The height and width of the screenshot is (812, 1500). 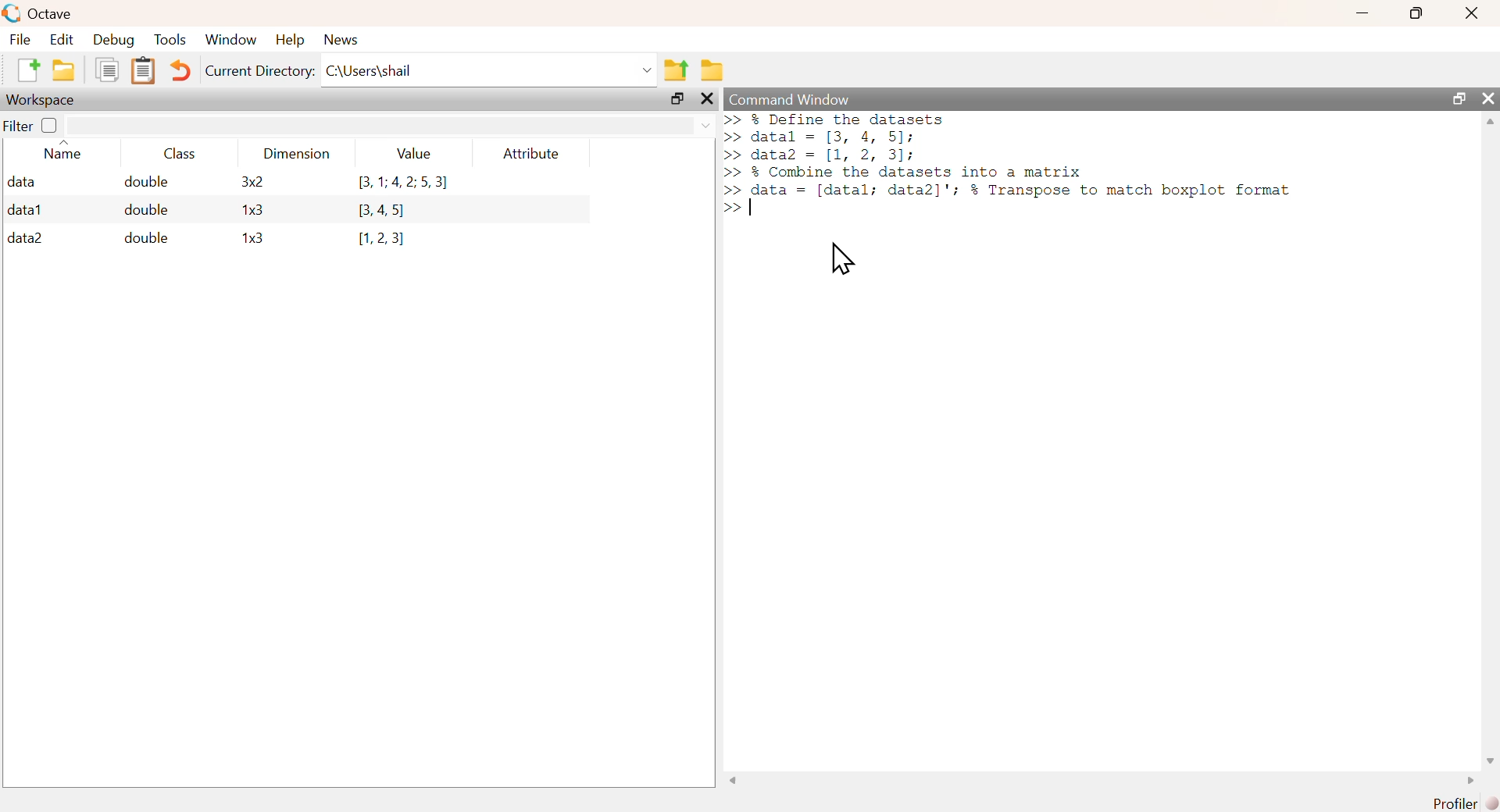 What do you see at coordinates (253, 239) in the screenshot?
I see `1x3` at bounding box center [253, 239].